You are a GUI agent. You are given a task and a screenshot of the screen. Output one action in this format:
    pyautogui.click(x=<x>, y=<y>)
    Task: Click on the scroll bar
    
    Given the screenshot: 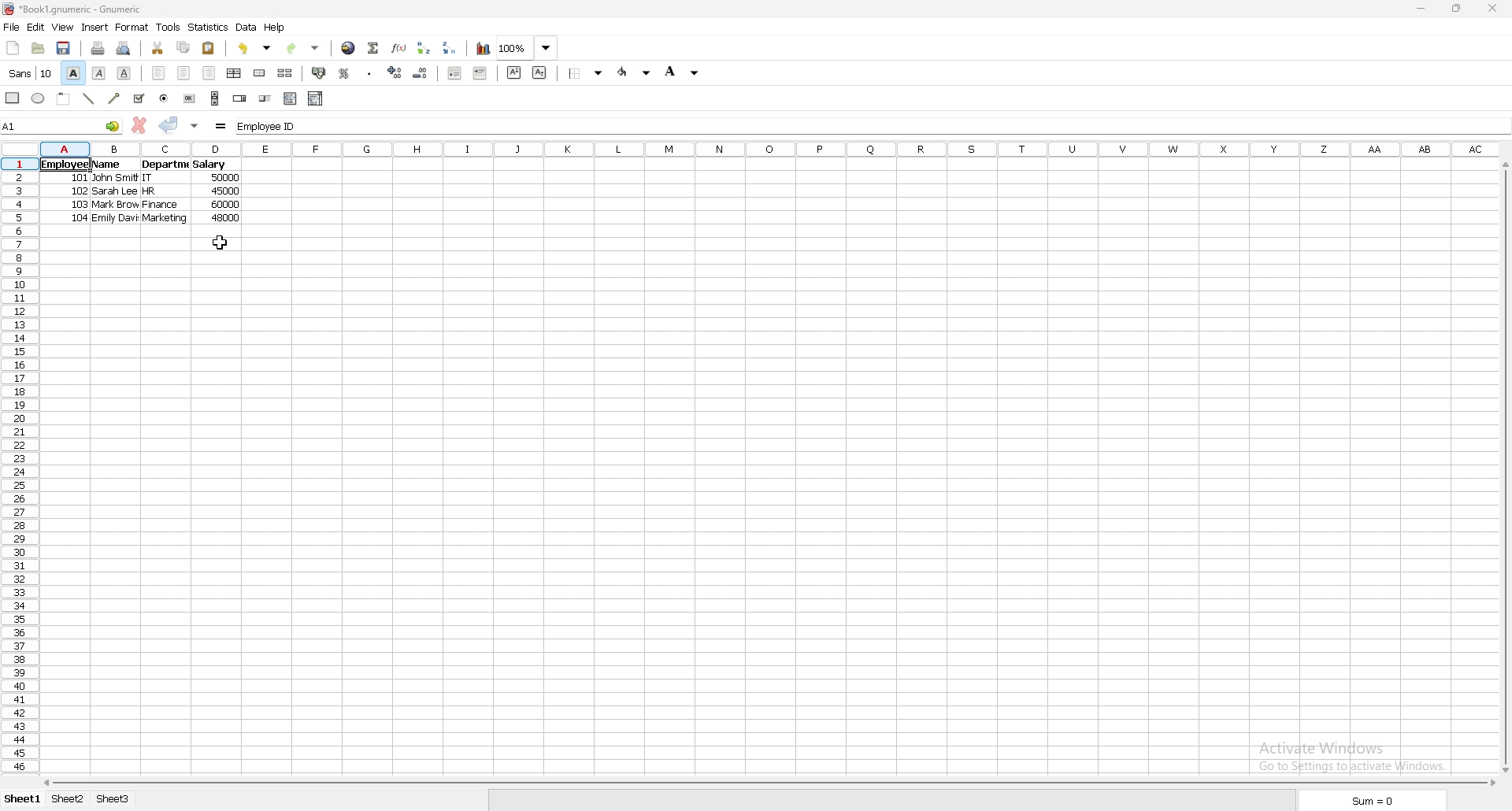 What is the action you would take?
    pyautogui.click(x=1503, y=467)
    